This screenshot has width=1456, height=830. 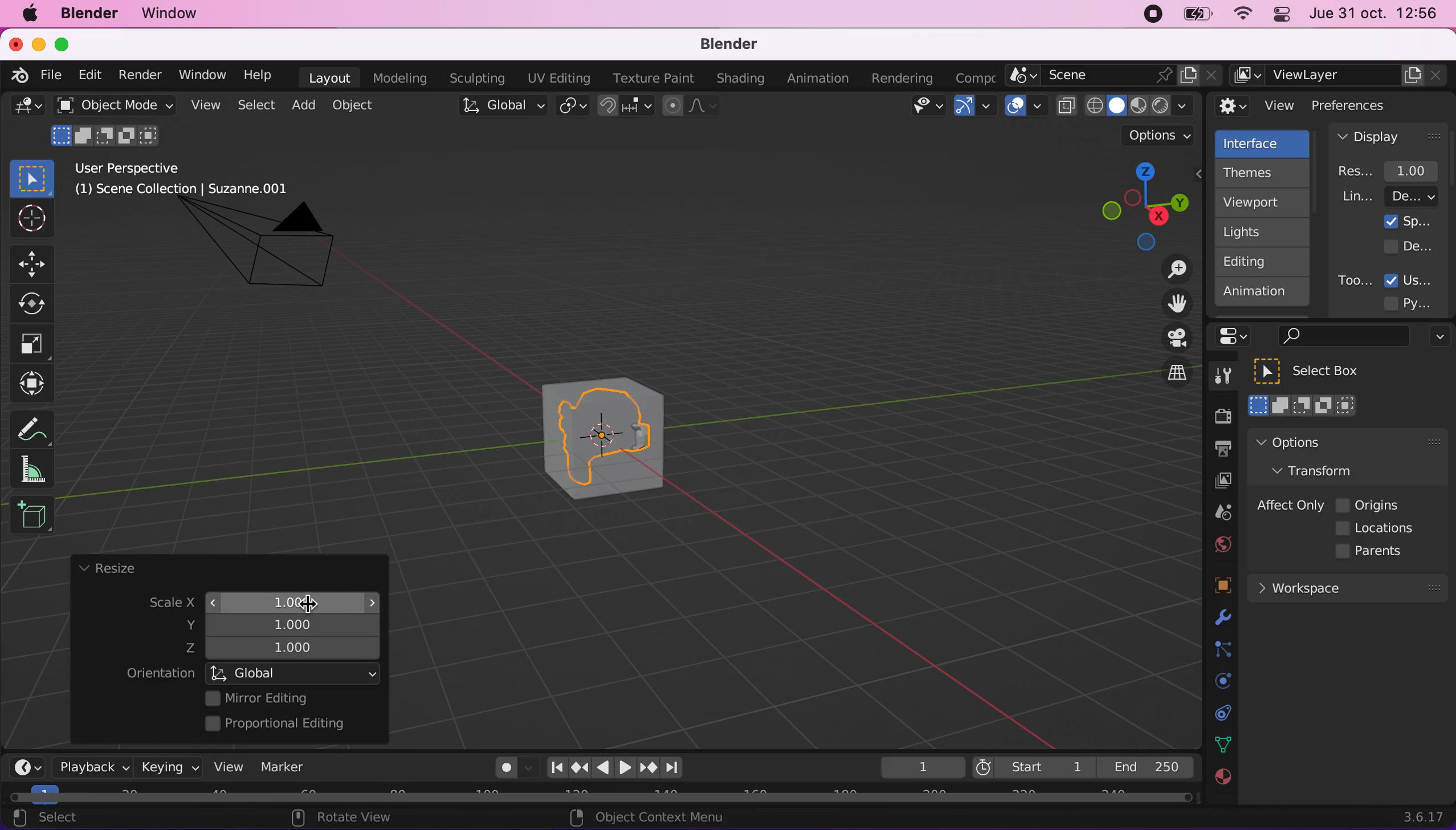 What do you see at coordinates (32, 178) in the screenshot?
I see `select box` at bounding box center [32, 178].